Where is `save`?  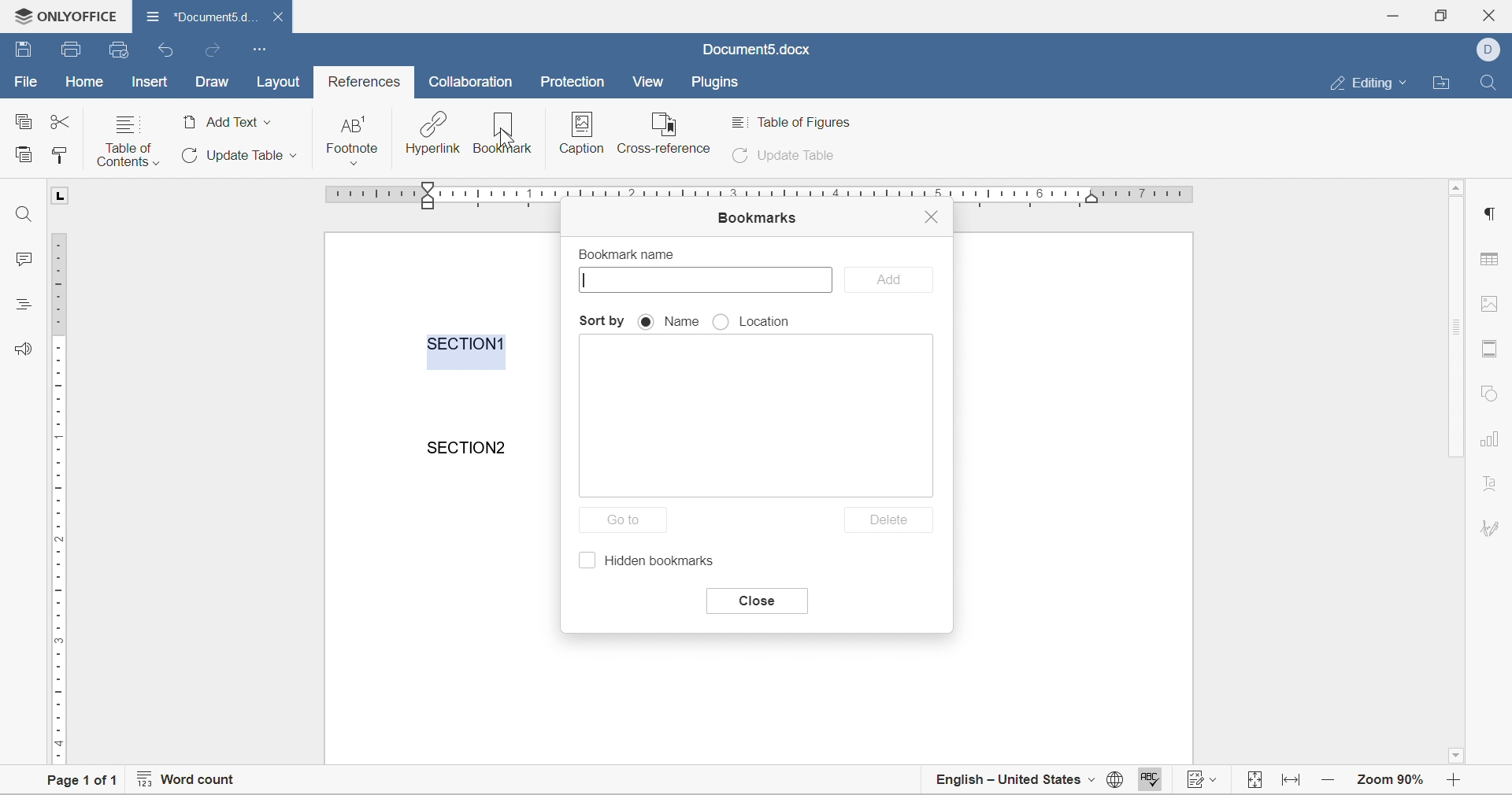 save is located at coordinates (24, 47).